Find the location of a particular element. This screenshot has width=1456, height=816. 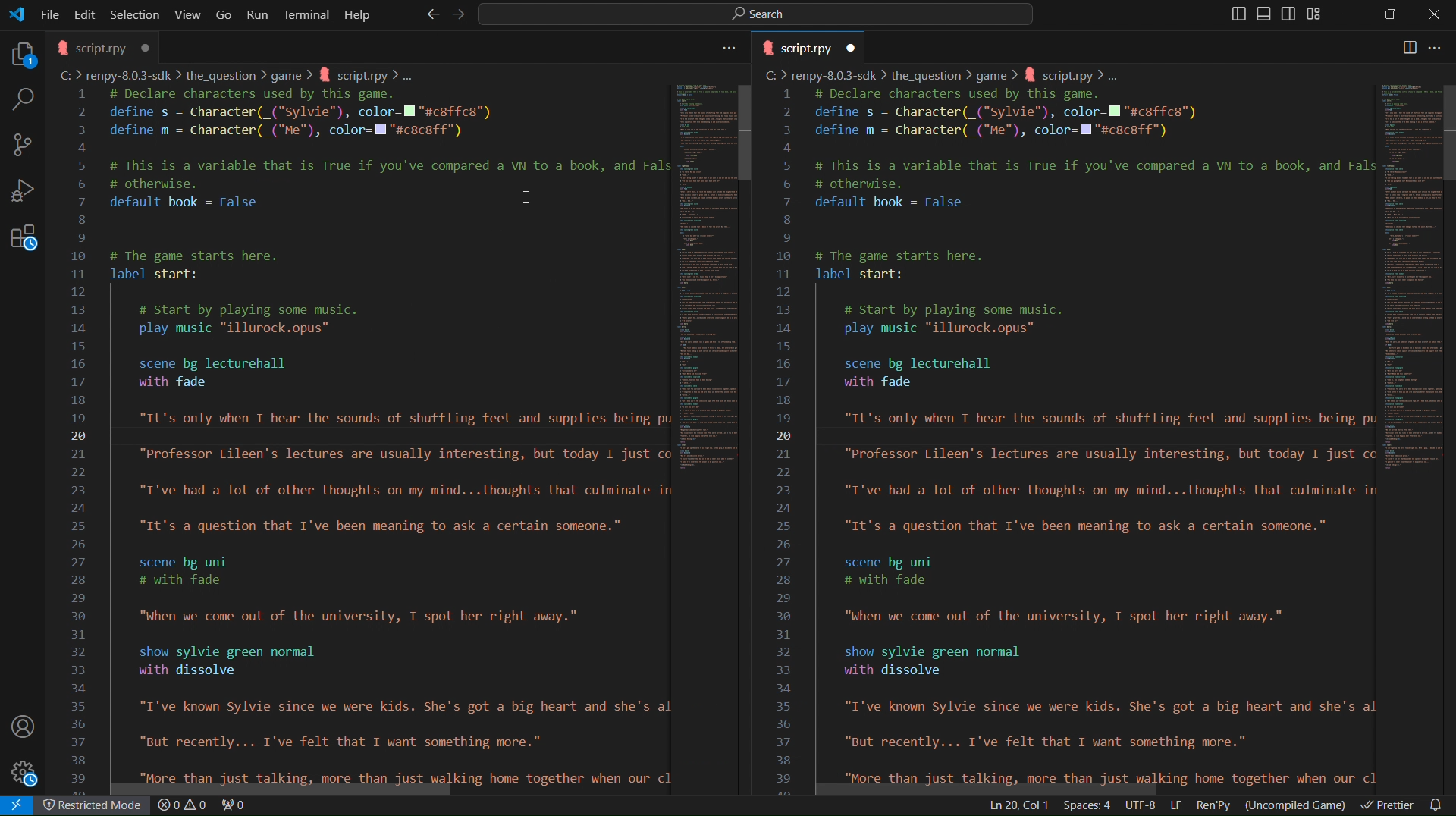

cursor is located at coordinates (531, 200).